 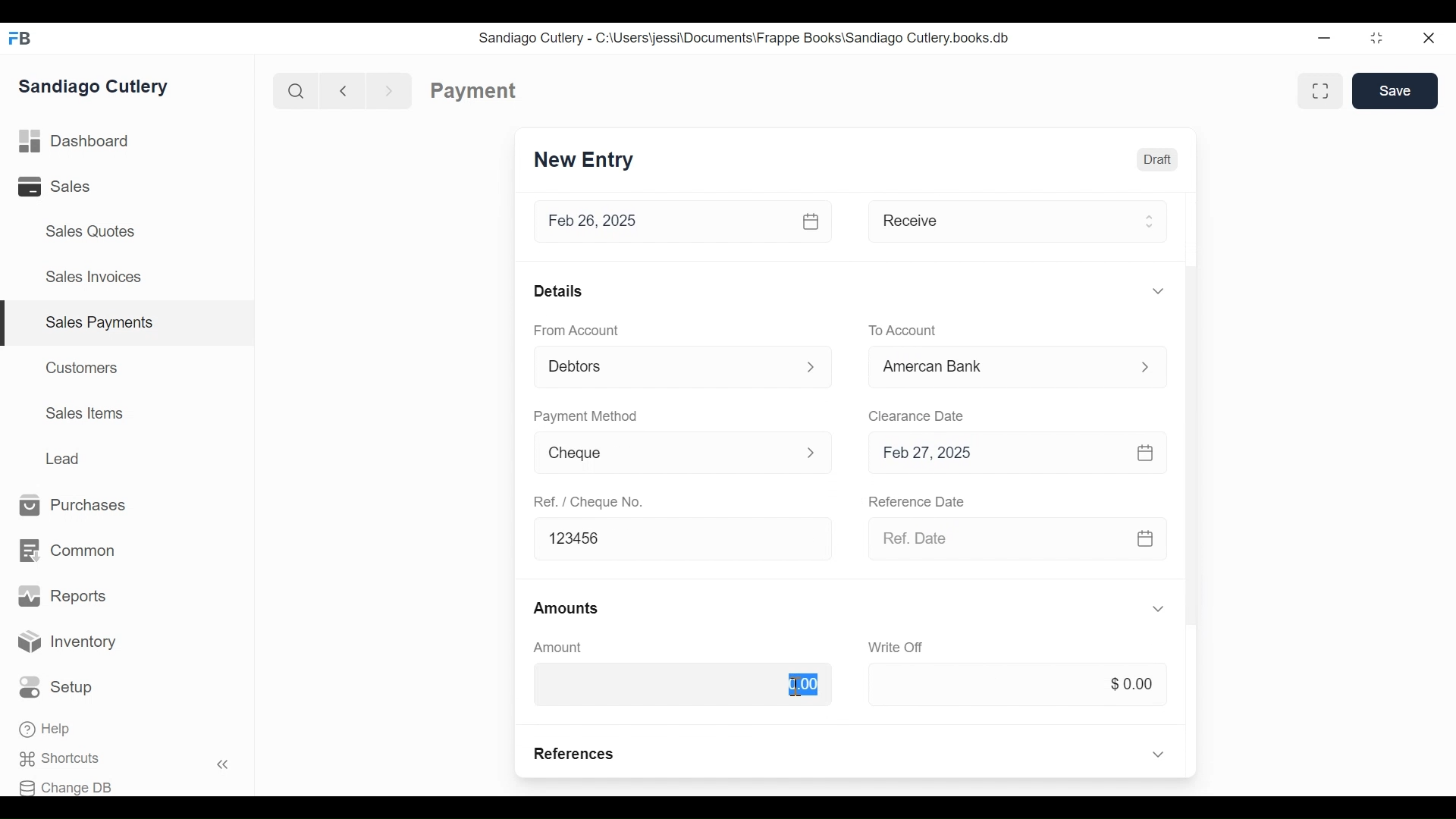 I want to click on Search, so click(x=293, y=90).